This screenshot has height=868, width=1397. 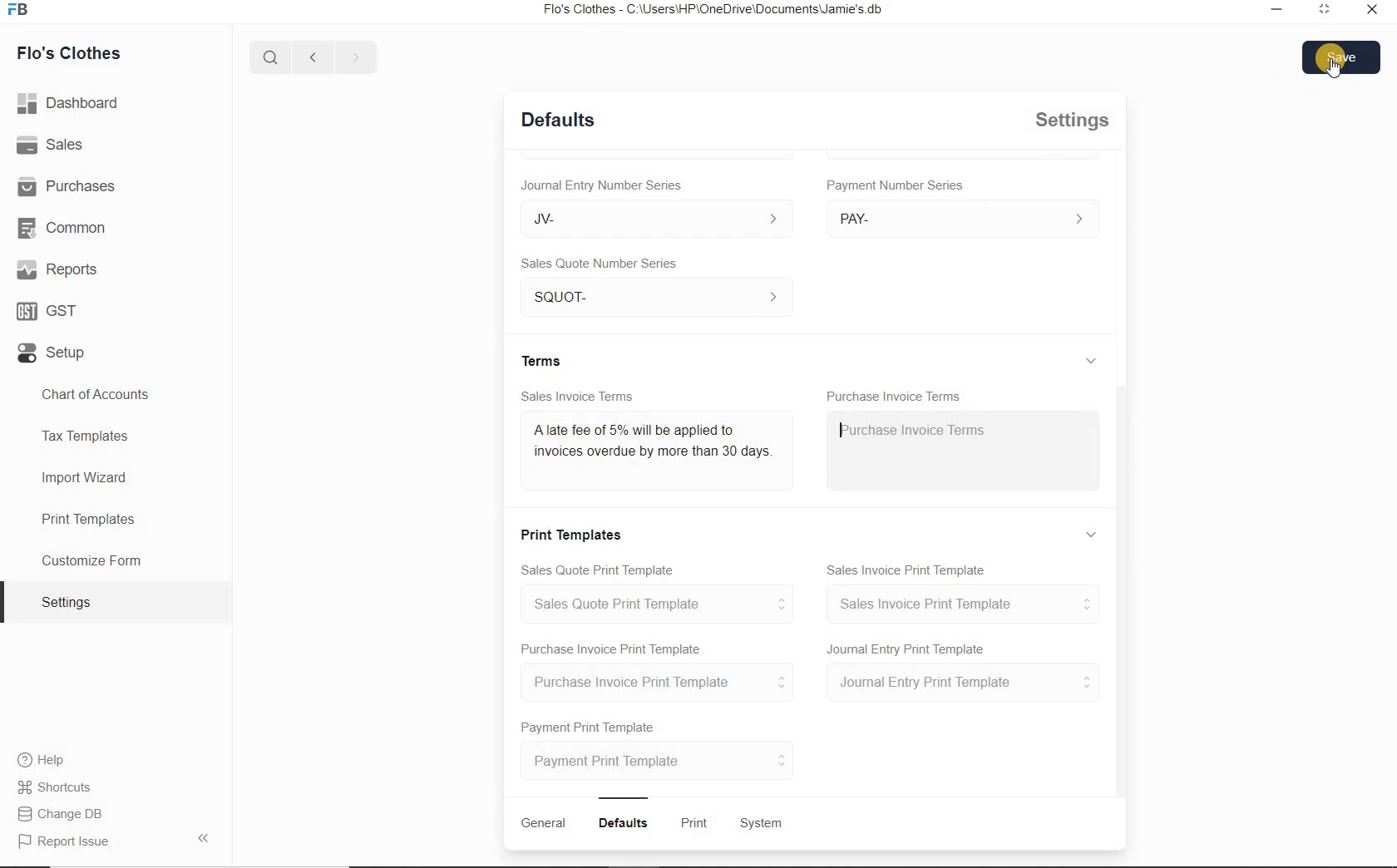 What do you see at coordinates (662, 294) in the screenshot?
I see `SQUOT` at bounding box center [662, 294].